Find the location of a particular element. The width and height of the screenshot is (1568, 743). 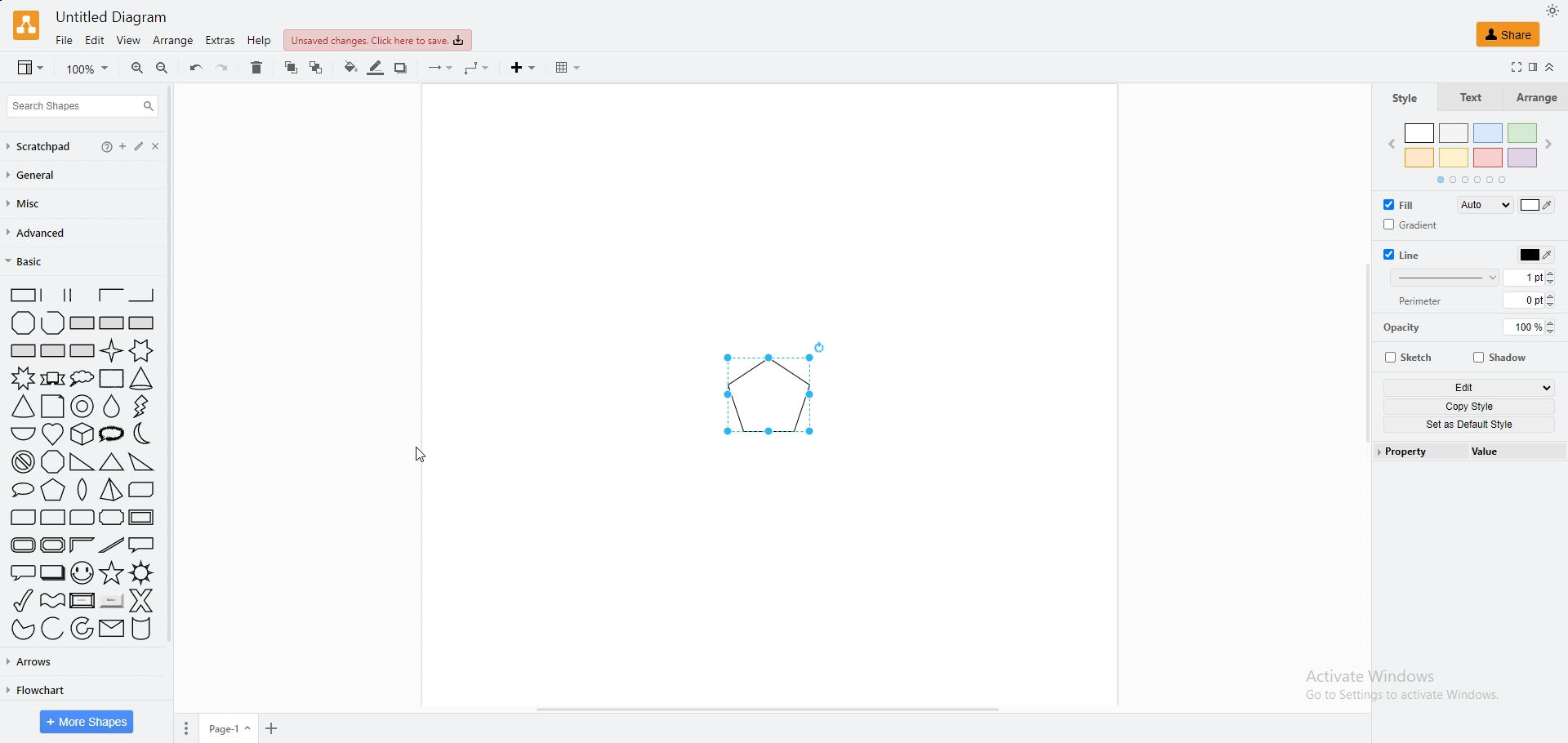

pages is located at coordinates (185, 728).